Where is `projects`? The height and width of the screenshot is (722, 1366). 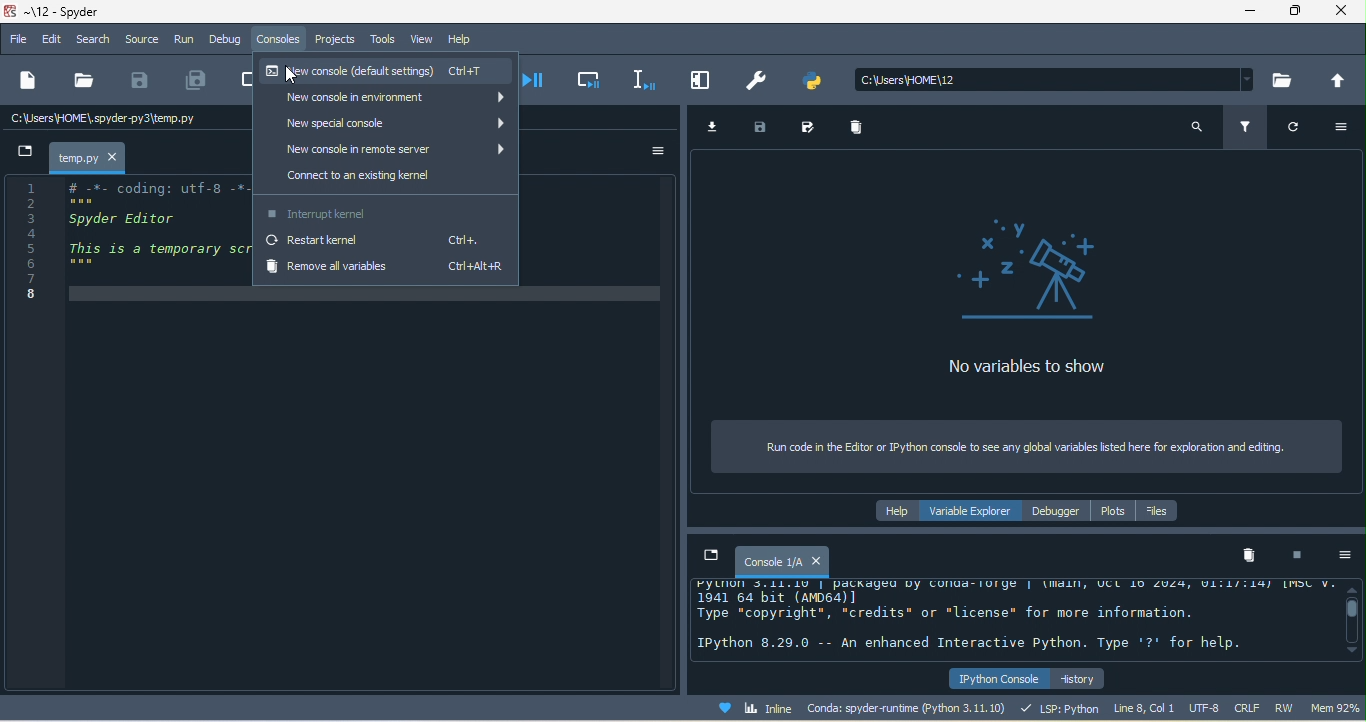
projects is located at coordinates (336, 41).